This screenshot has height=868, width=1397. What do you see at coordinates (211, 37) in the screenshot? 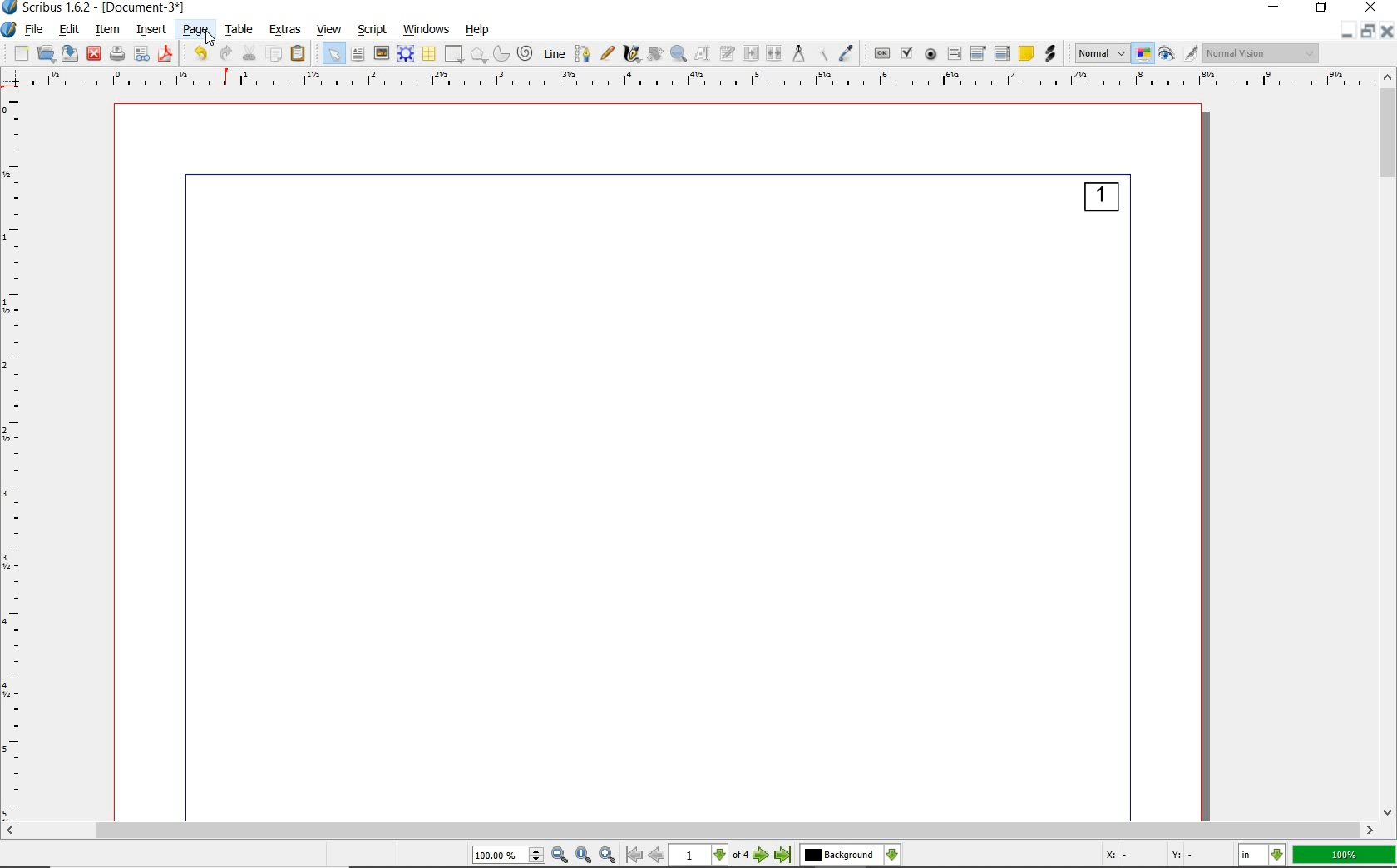
I see `Cursor` at bounding box center [211, 37].